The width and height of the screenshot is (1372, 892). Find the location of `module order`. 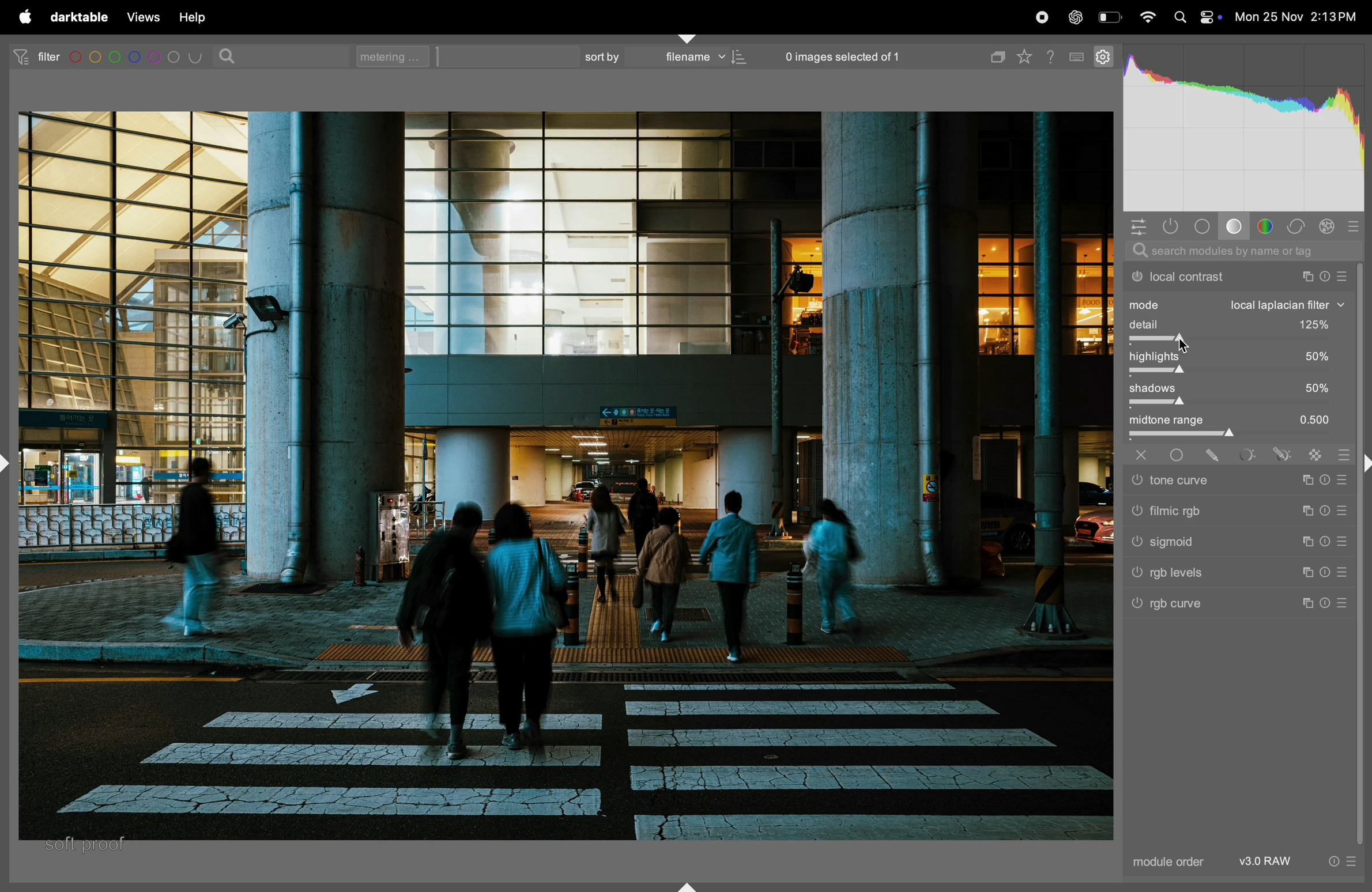

module order is located at coordinates (1170, 862).